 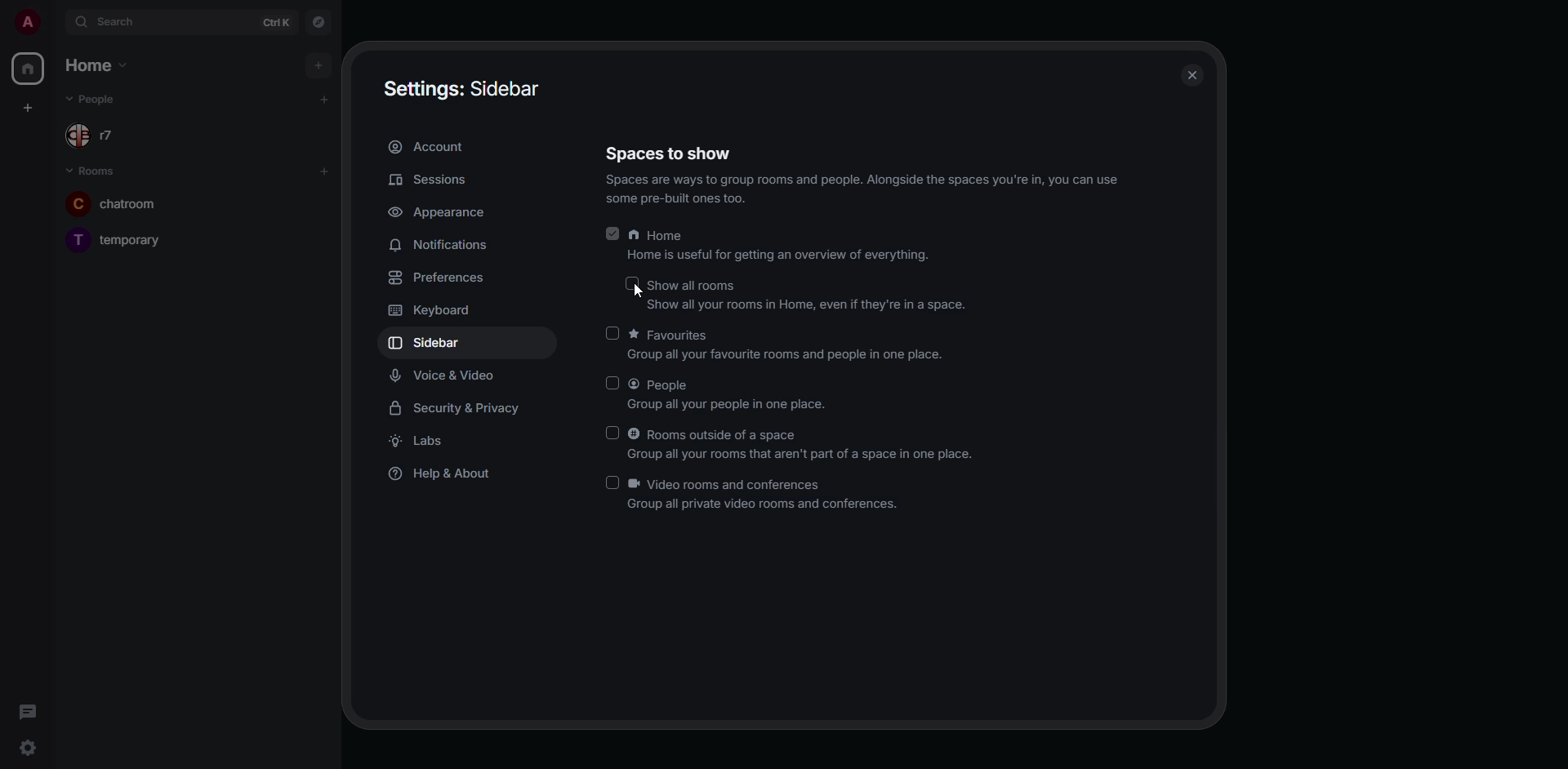 What do you see at coordinates (629, 283) in the screenshot?
I see `click to enable` at bounding box center [629, 283].